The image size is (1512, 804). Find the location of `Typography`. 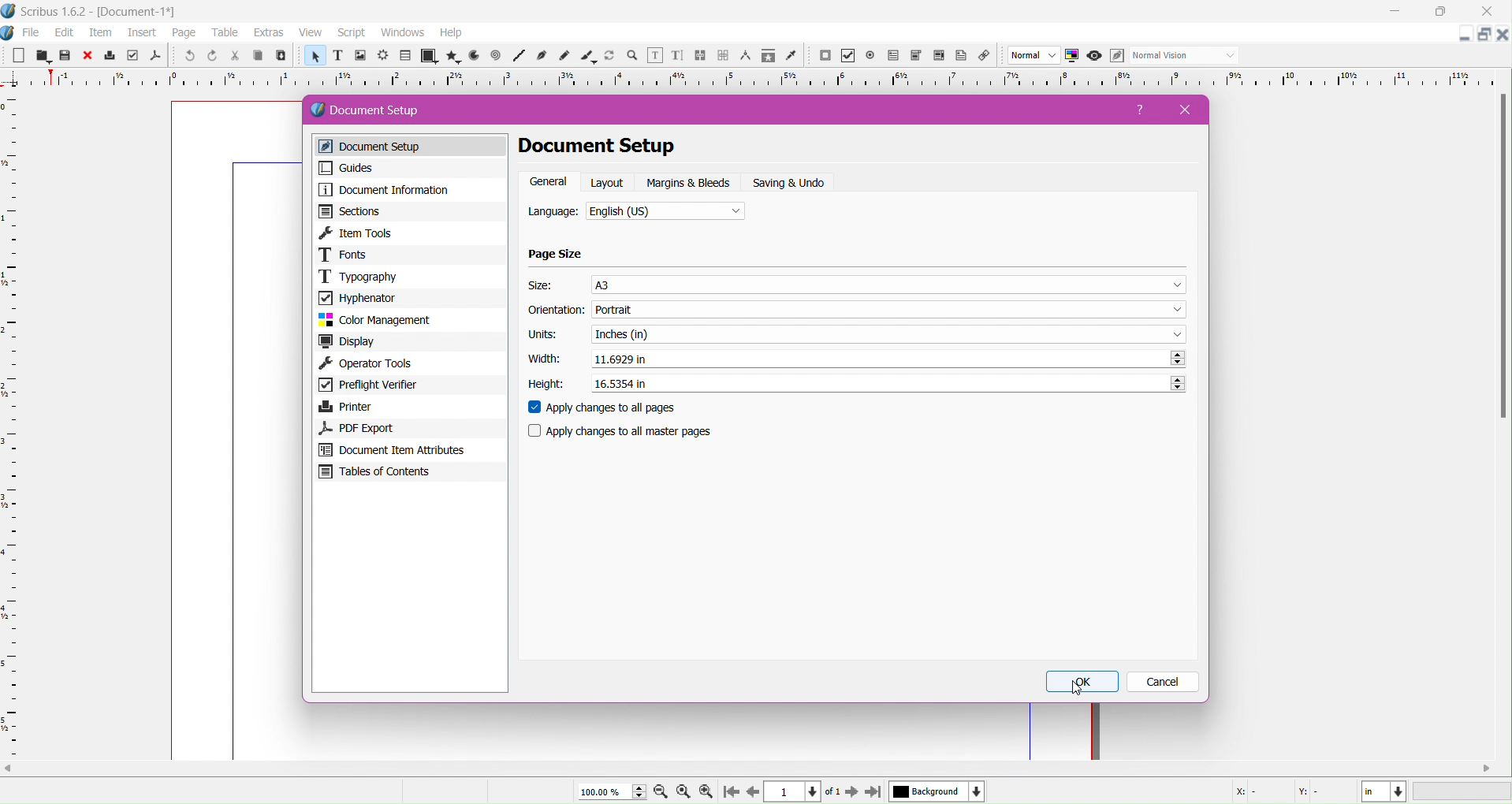

Typography is located at coordinates (411, 276).